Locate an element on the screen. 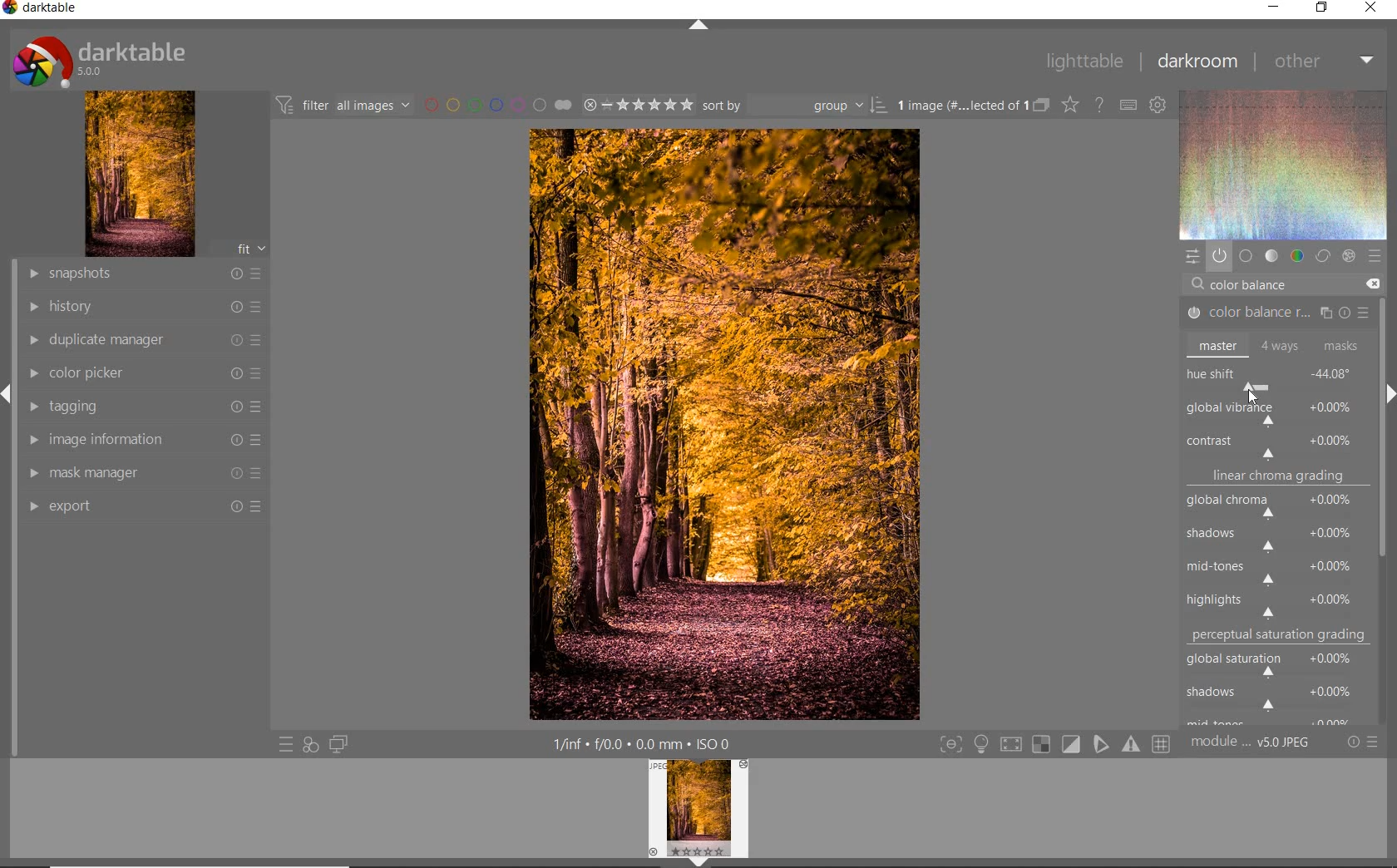 The image size is (1397, 868). export is located at coordinates (146, 506).